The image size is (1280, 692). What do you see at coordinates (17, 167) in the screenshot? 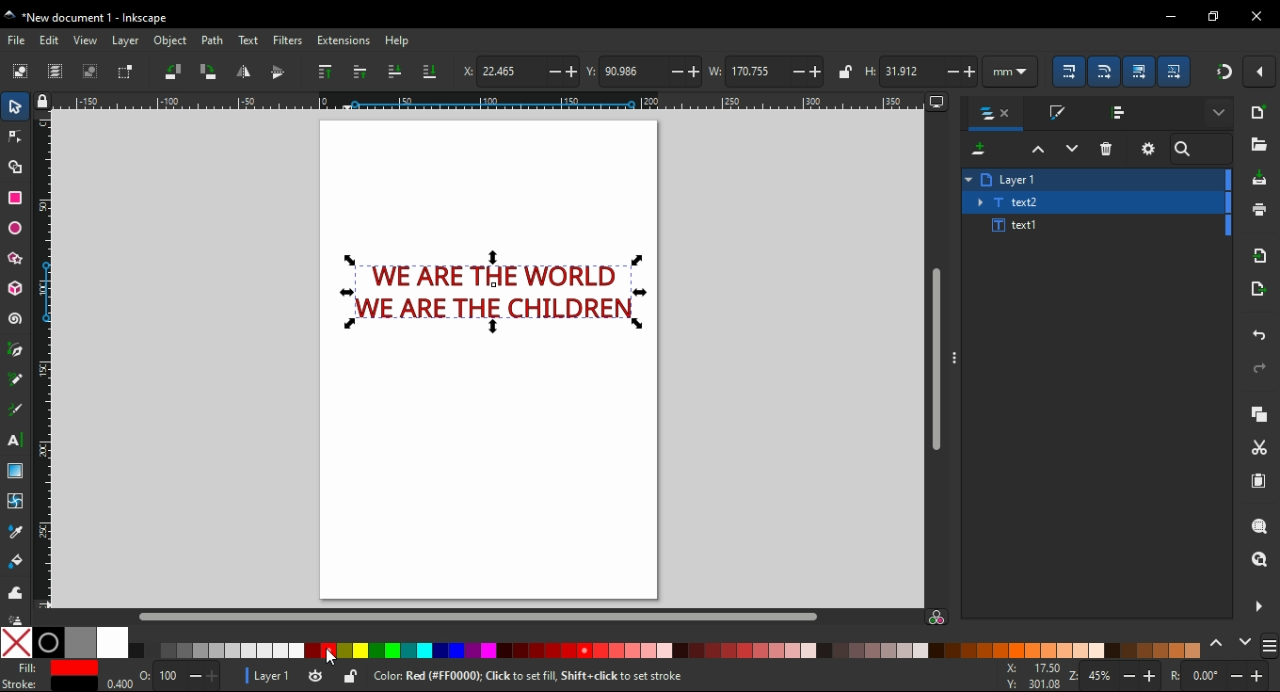
I see `shape builder tool` at bounding box center [17, 167].